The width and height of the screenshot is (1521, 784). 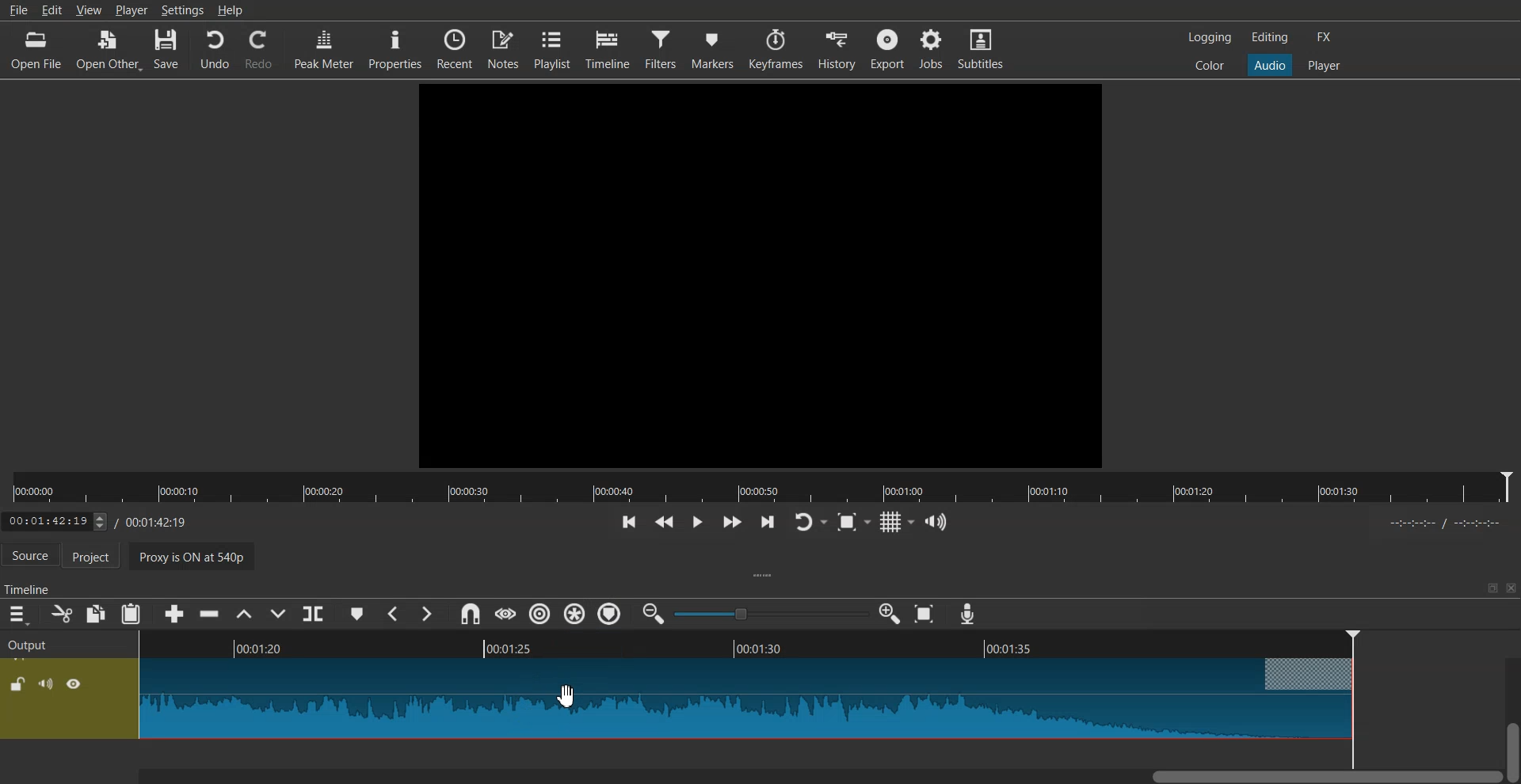 What do you see at coordinates (745, 644) in the screenshot?
I see `Audio Time` at bounding box center [745, 644].